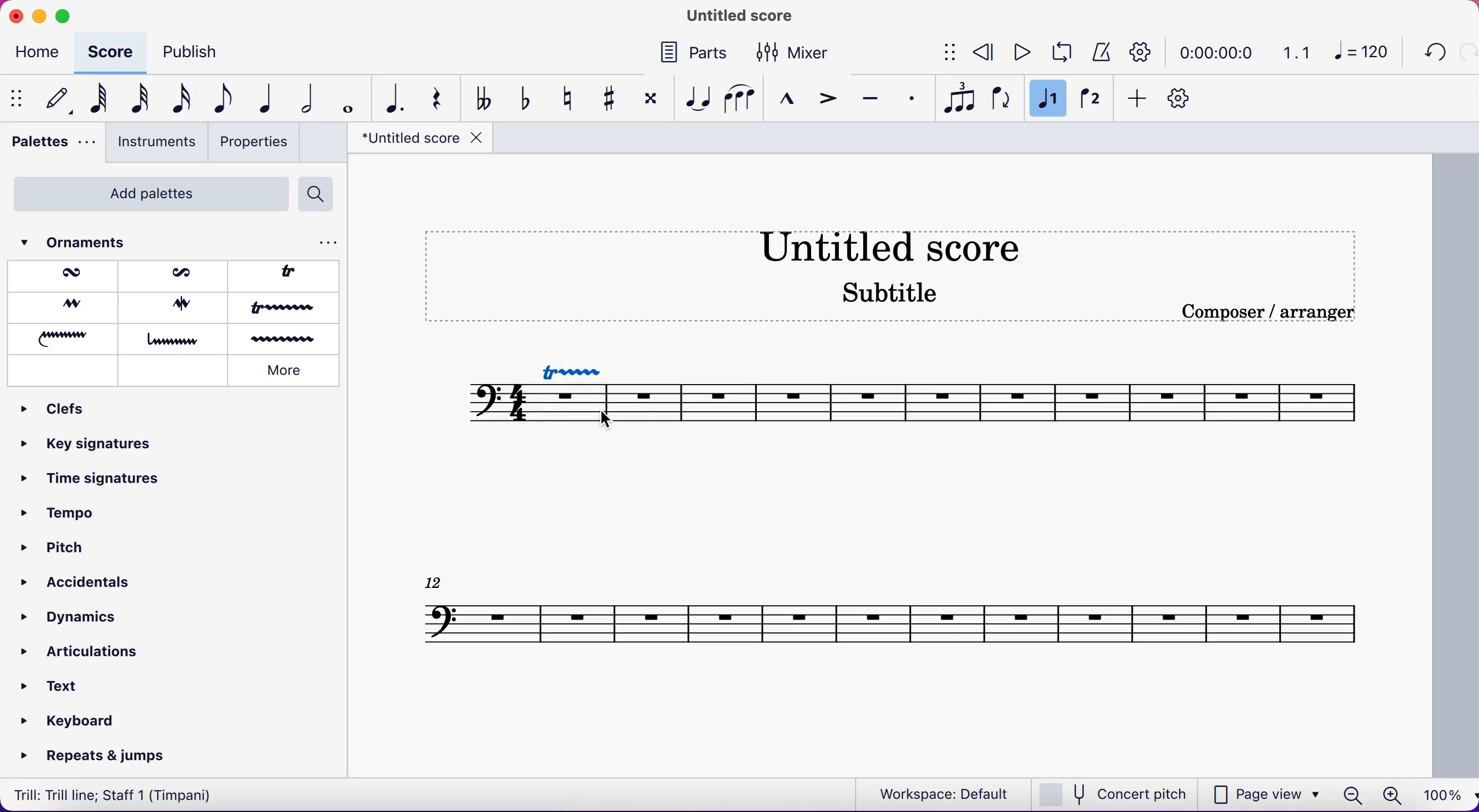 The height and width of the screenshot is (812, 1479). What do you see at coordinates (909, 98) in the screenshot?
I see `staccato` at bounding box center [909, 98].